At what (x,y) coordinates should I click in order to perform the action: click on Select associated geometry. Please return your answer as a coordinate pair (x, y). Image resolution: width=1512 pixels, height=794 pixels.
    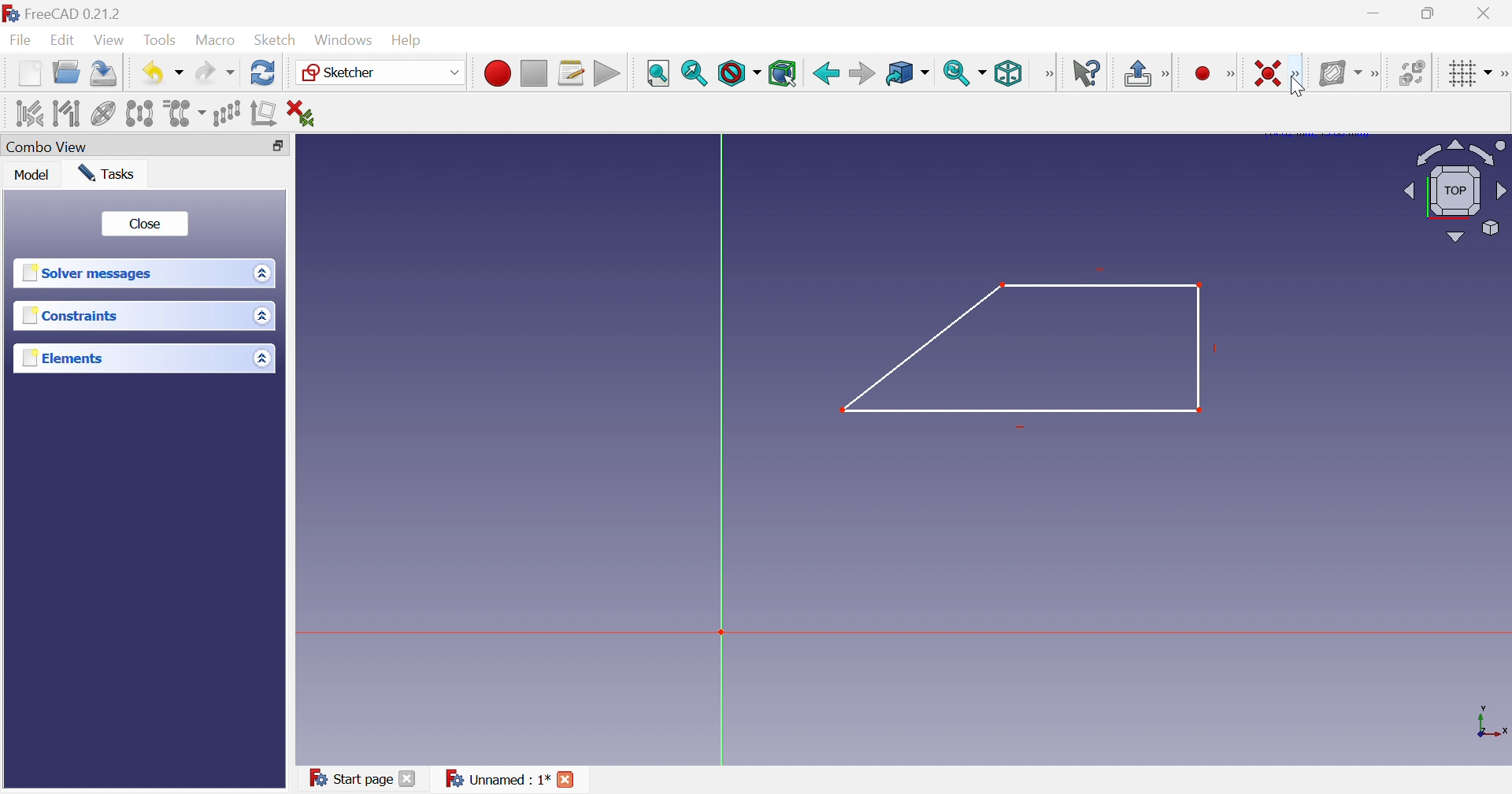
    Looking at the image, I should click on (65, 113).